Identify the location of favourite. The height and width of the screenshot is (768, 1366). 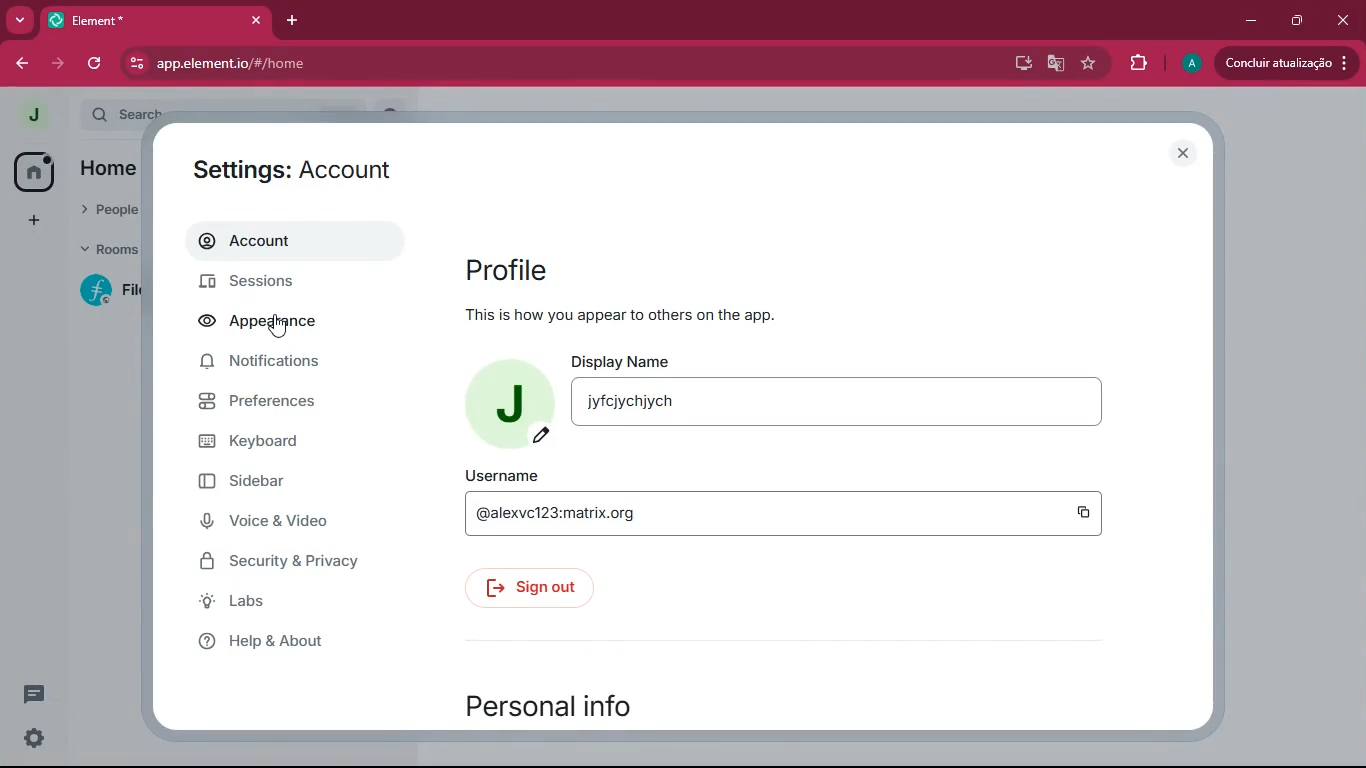
(1091, 61).